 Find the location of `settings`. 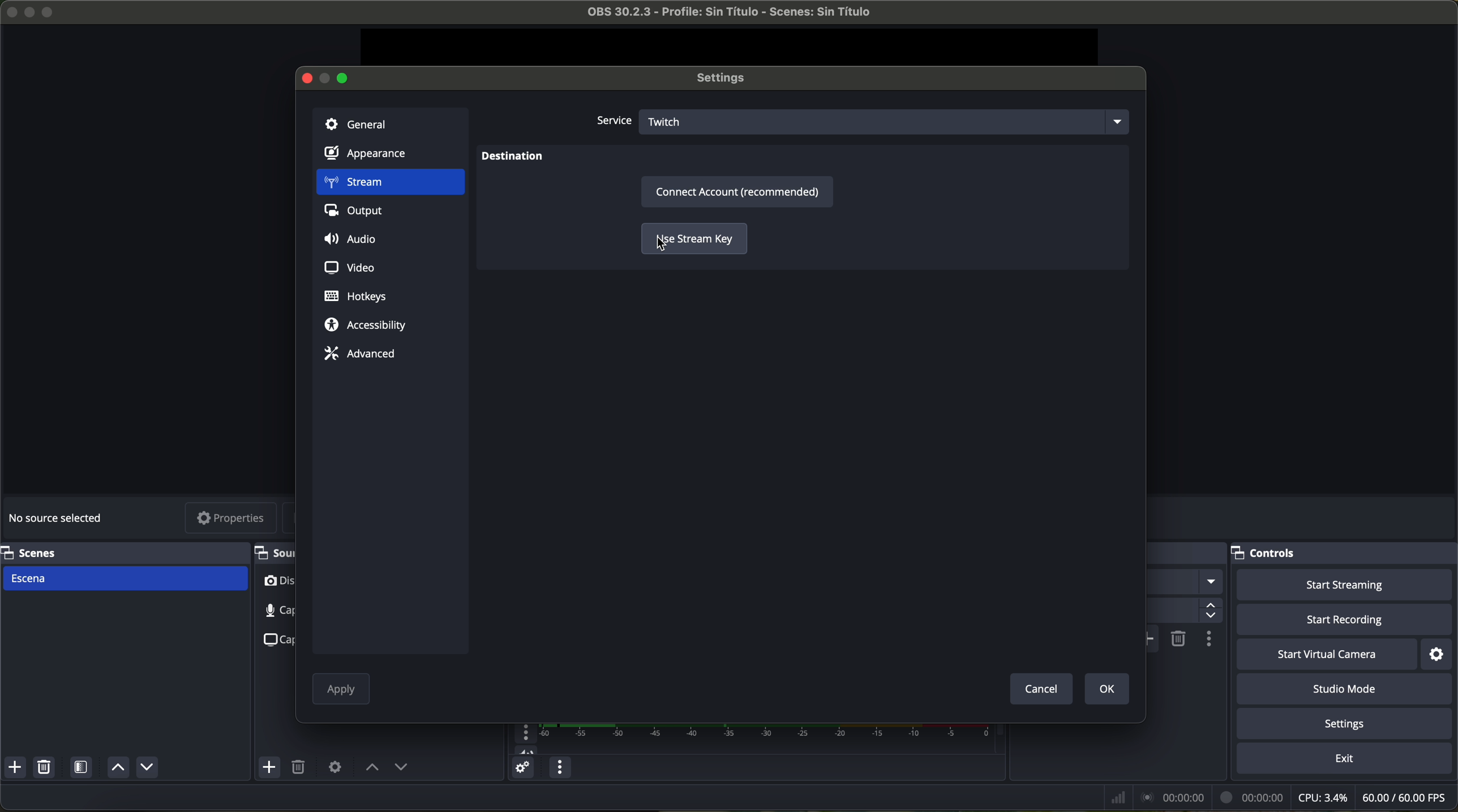

settings is located at coordinates (1438, 654).